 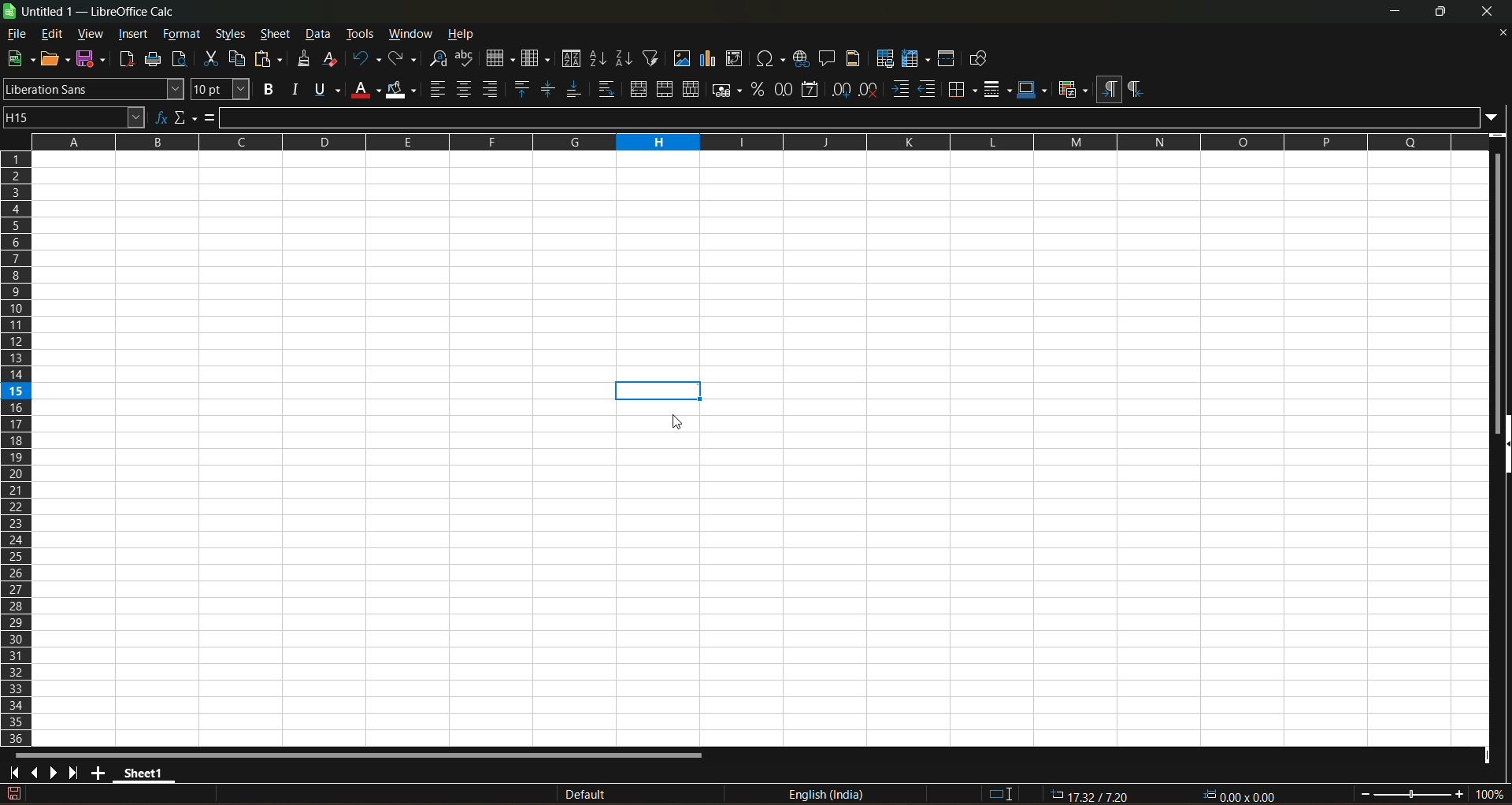 I want to click on add decimal place, so click(x=841, y=91).